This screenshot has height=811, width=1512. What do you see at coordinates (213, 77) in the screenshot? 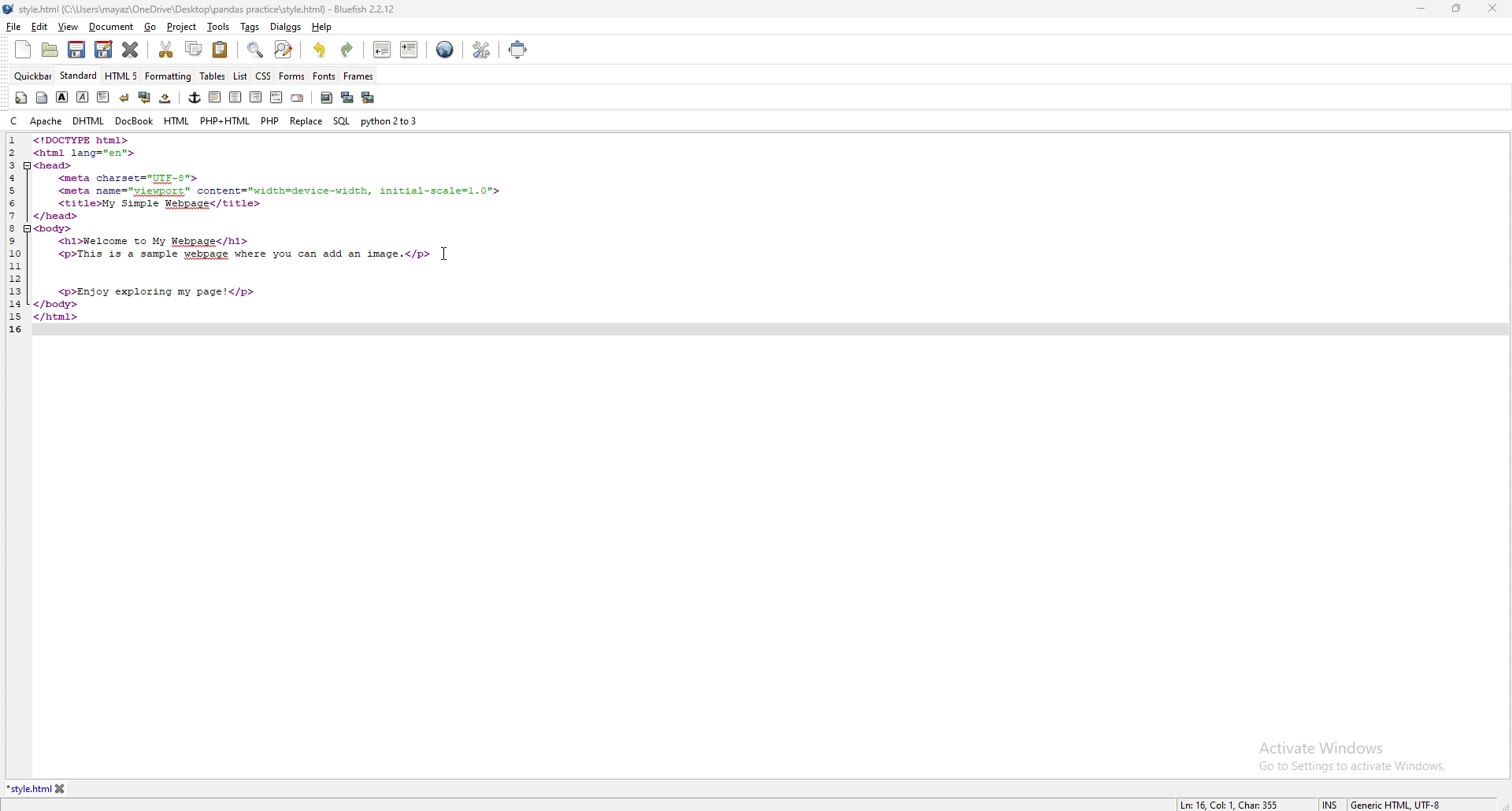
I see `tables` at bounding box center [213, 77].